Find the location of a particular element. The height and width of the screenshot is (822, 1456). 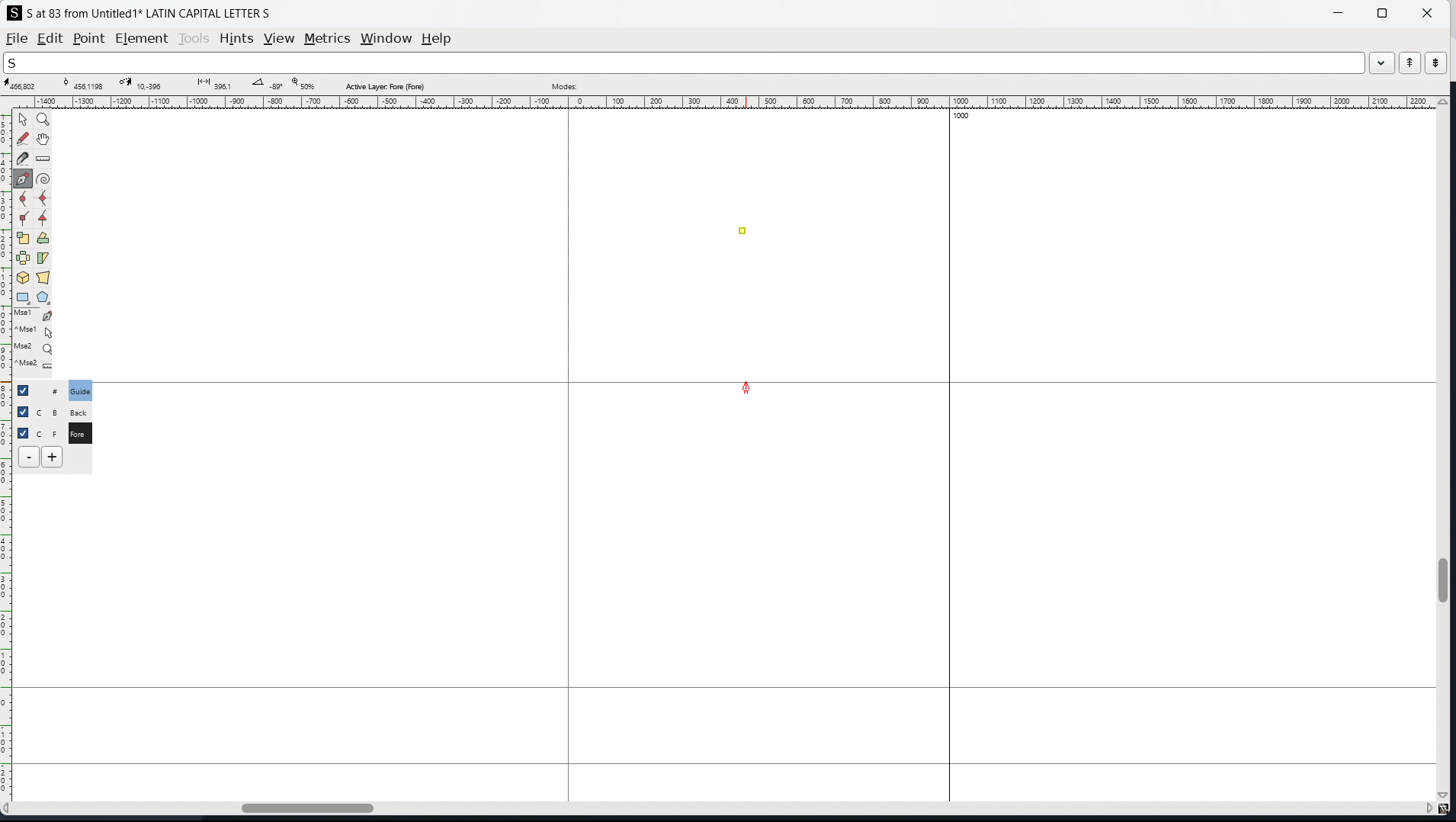

scale the selection is located at coordinates (24, 239).